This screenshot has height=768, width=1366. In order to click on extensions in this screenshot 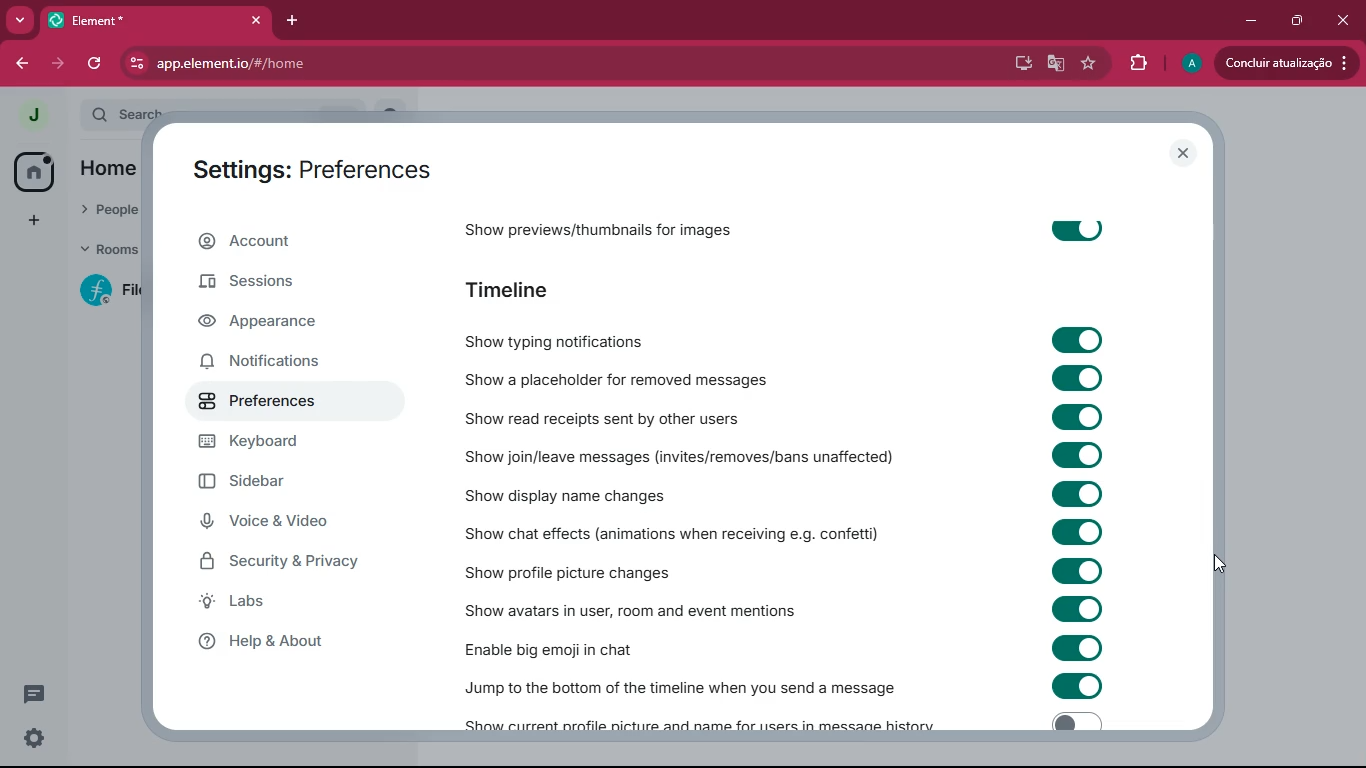, I will do `click(1138, 63)`.